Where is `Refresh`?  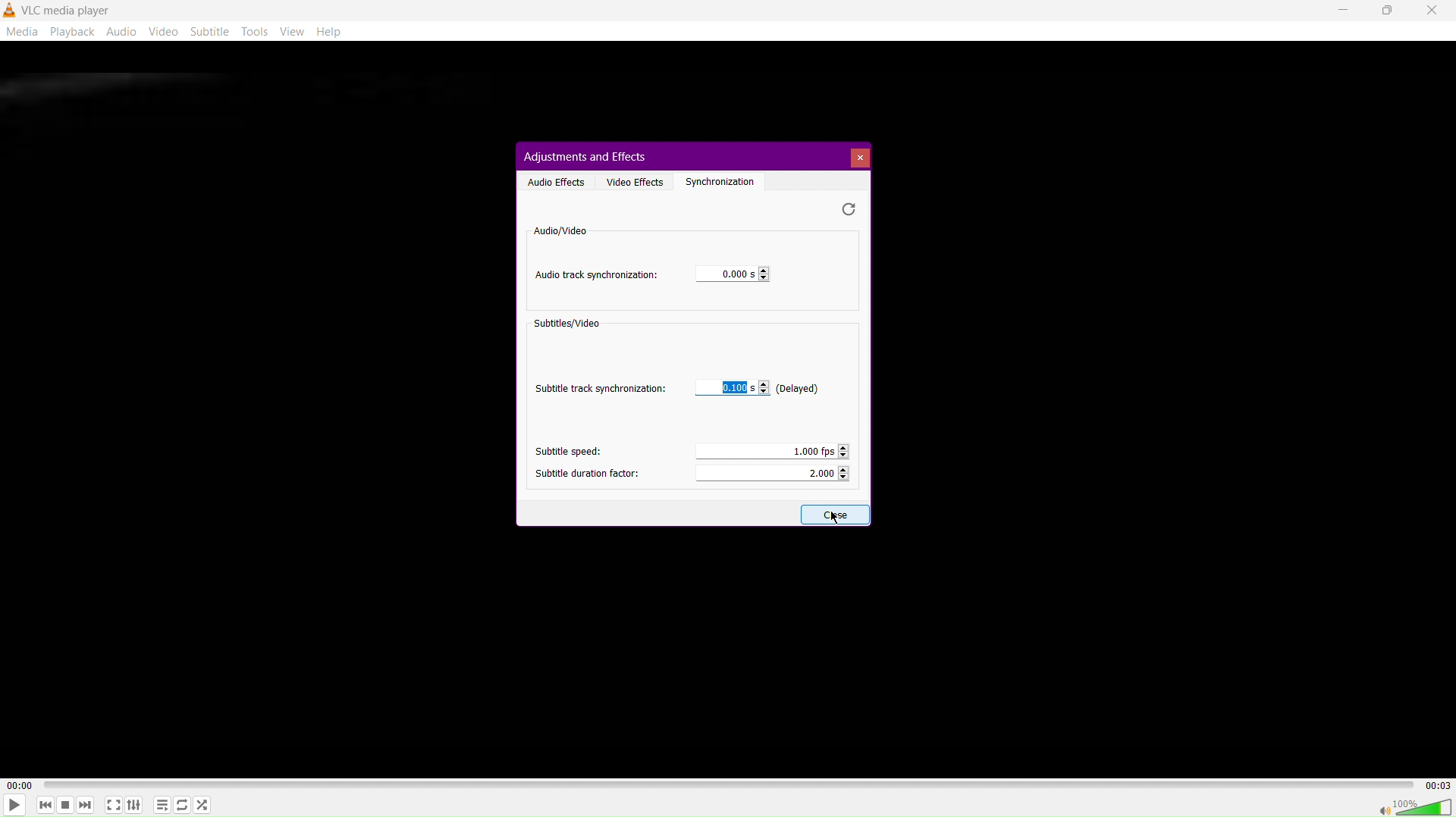 Refresh is located at coordinates (849, 209).